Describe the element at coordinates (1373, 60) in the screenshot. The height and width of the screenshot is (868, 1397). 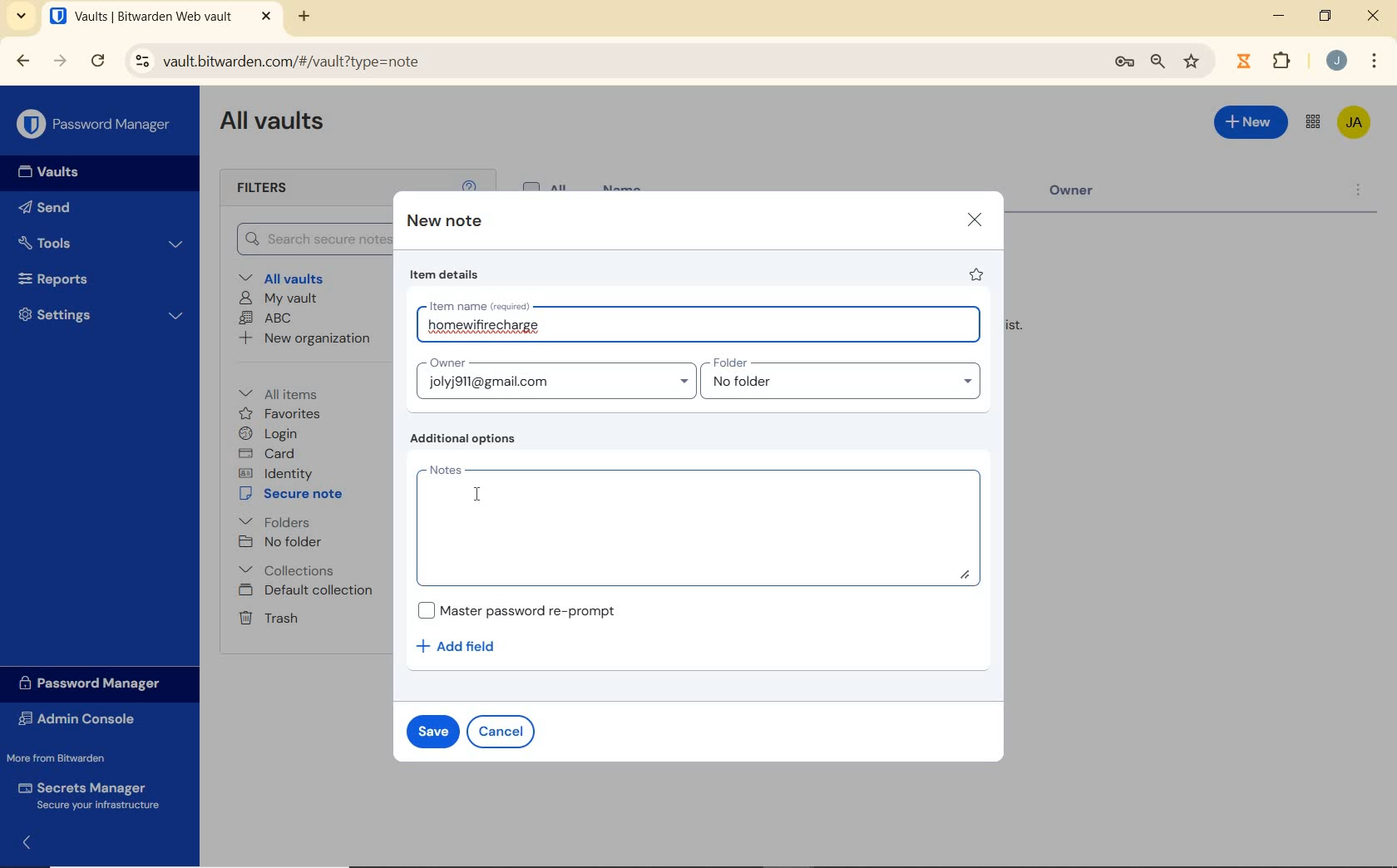
I see `More Options` at that location.